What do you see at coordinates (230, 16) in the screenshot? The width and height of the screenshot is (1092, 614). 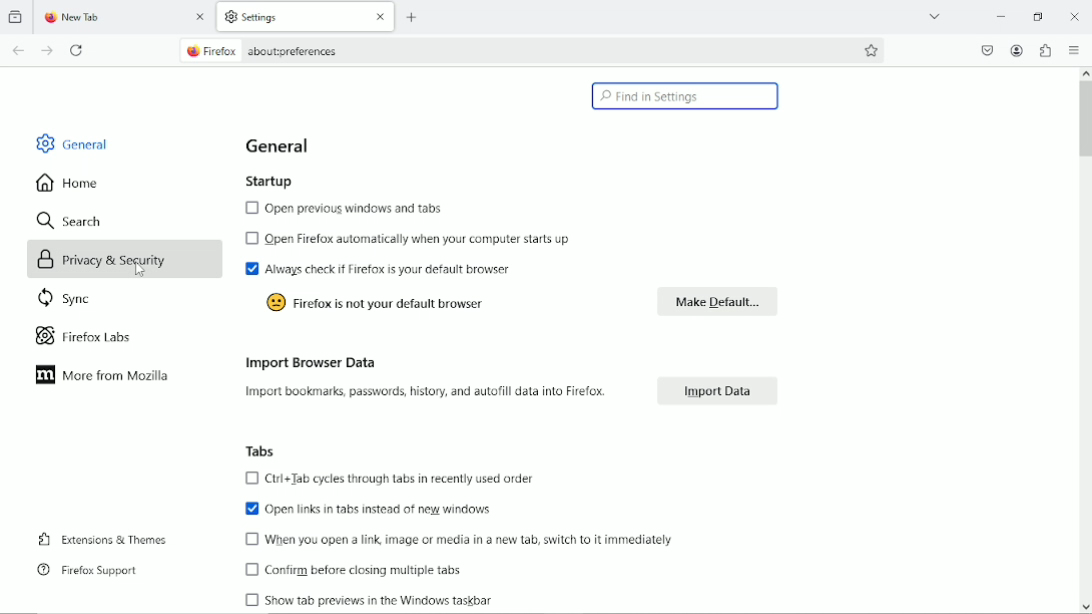 I see `settings logo` at bounding box center [230, 16].